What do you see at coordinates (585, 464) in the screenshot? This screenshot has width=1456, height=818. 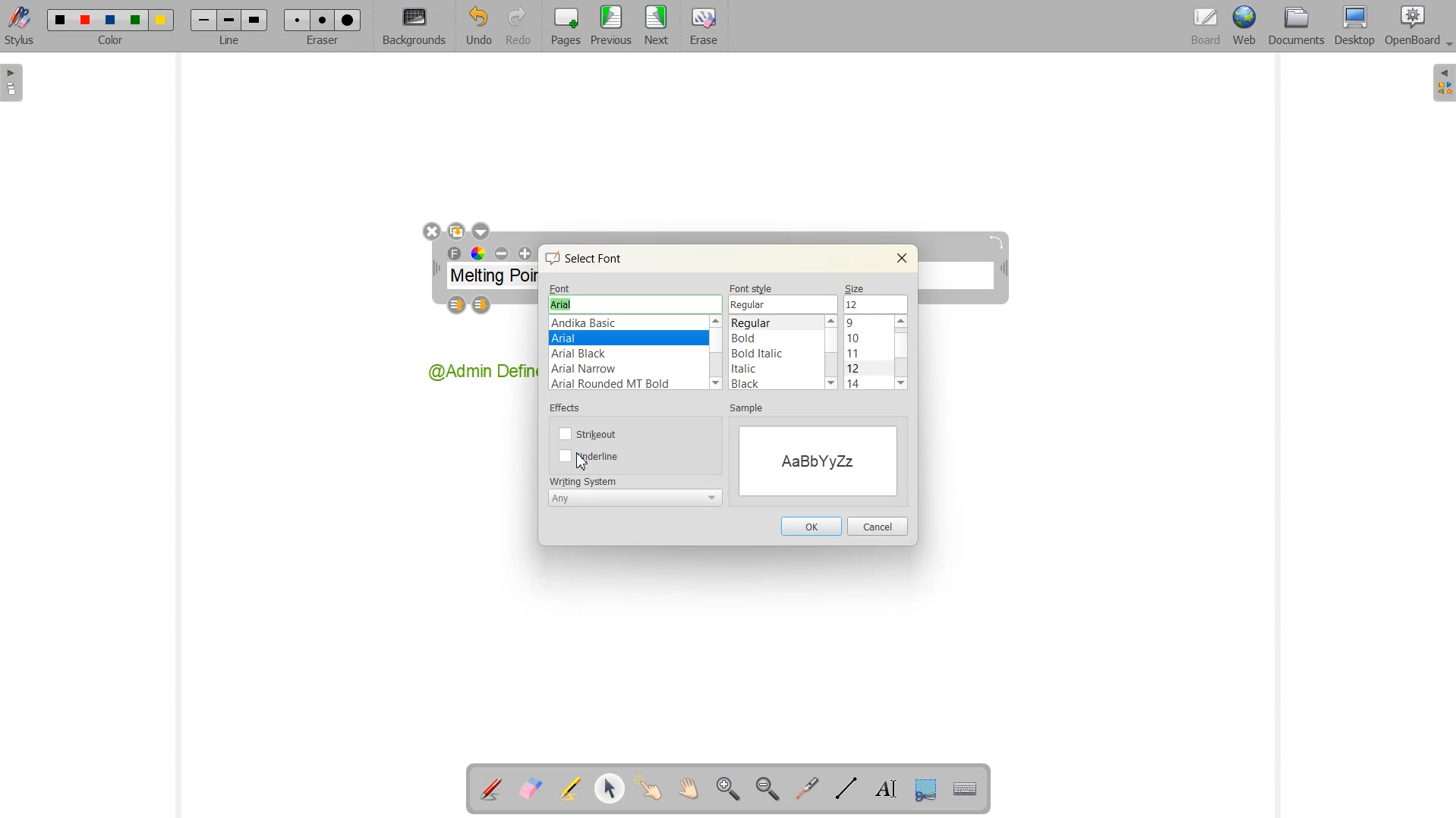 I see `Cursor` at bounding box center [585, 464].